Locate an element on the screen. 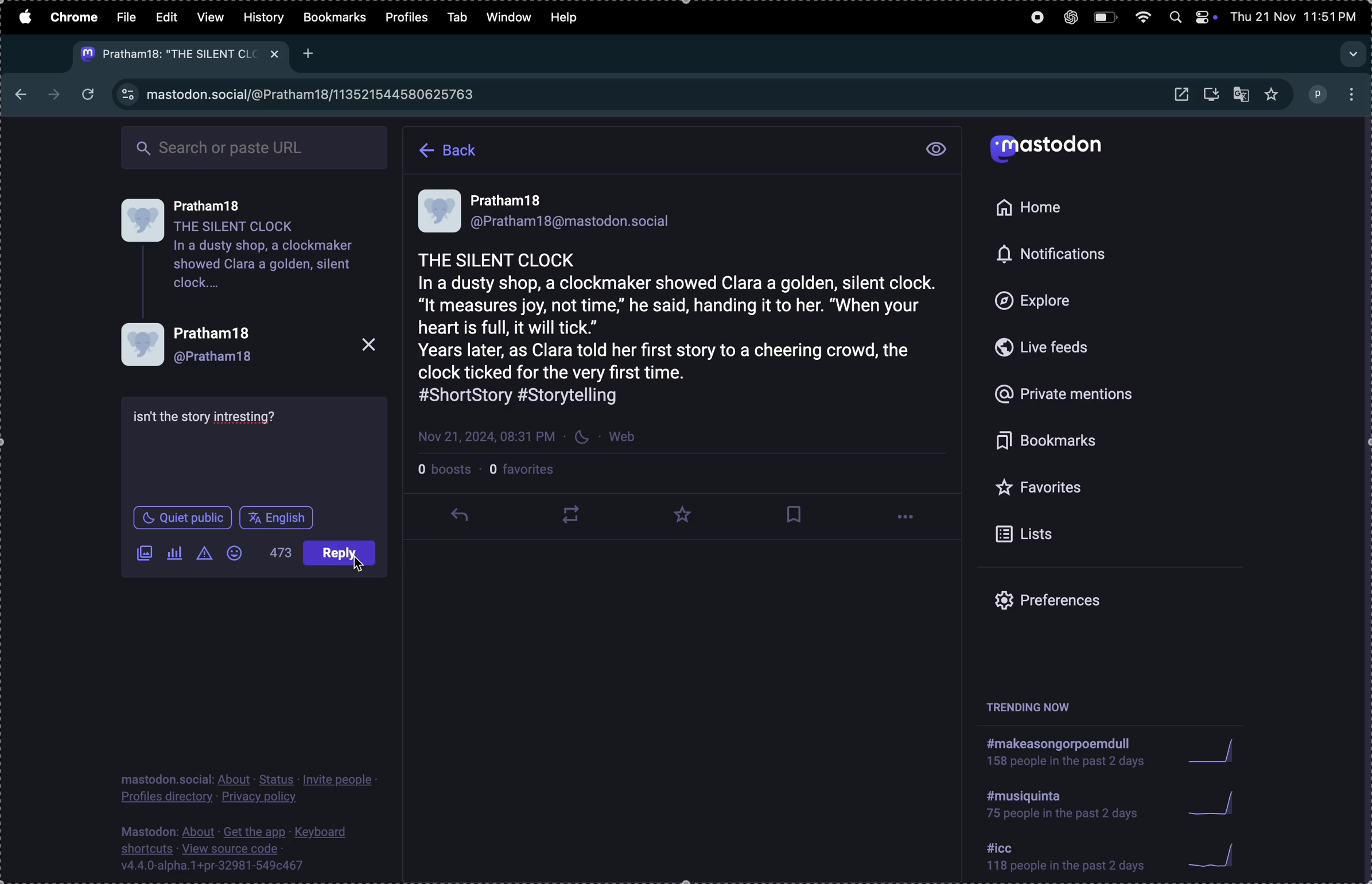 This screenshot has height=884, width=1372. chatgpt is located at coordinates (1070, 17).